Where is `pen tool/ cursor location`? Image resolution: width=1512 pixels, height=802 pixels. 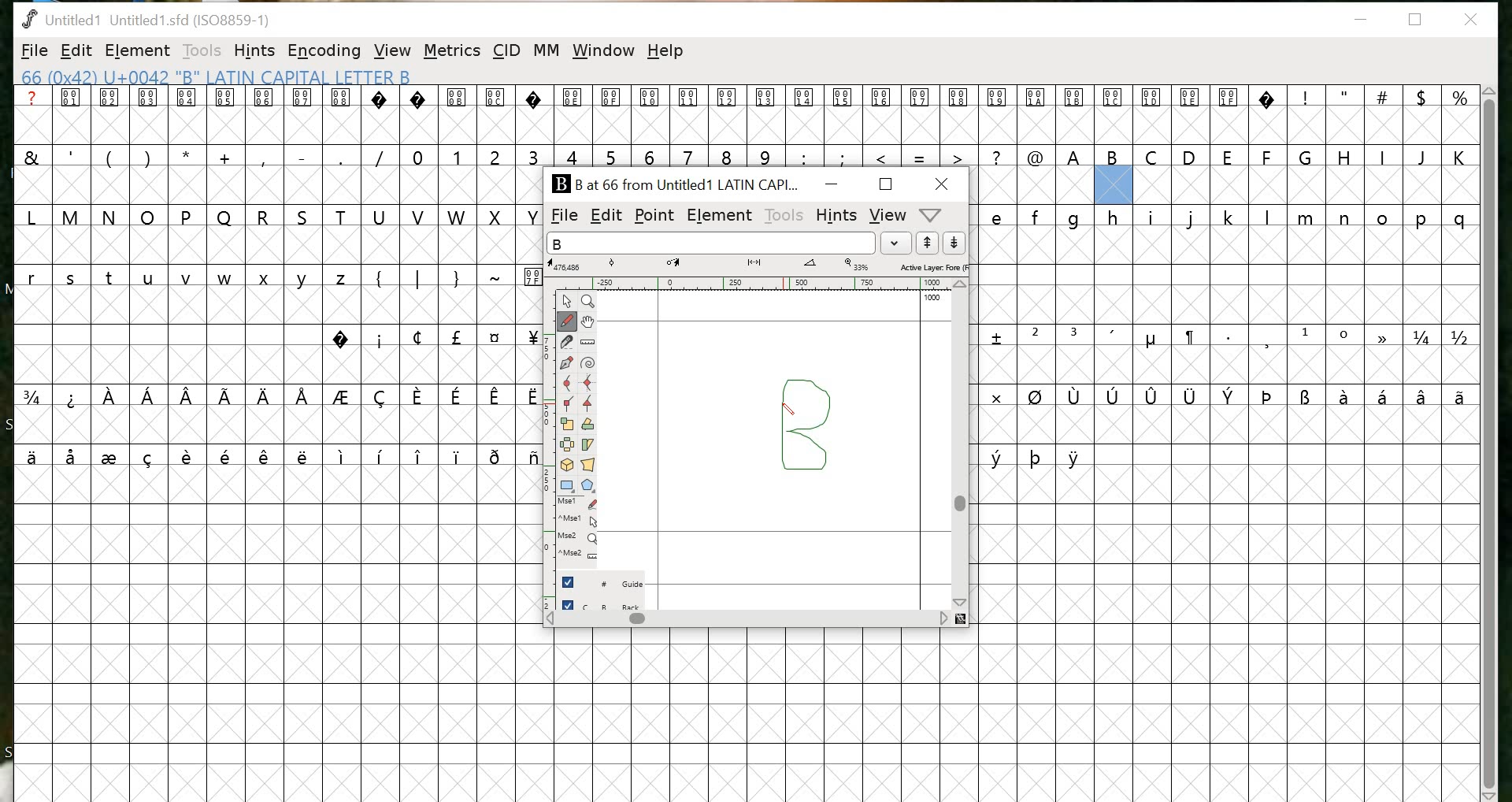
pen tool/ cursor location is located at coordinates (789, 407).